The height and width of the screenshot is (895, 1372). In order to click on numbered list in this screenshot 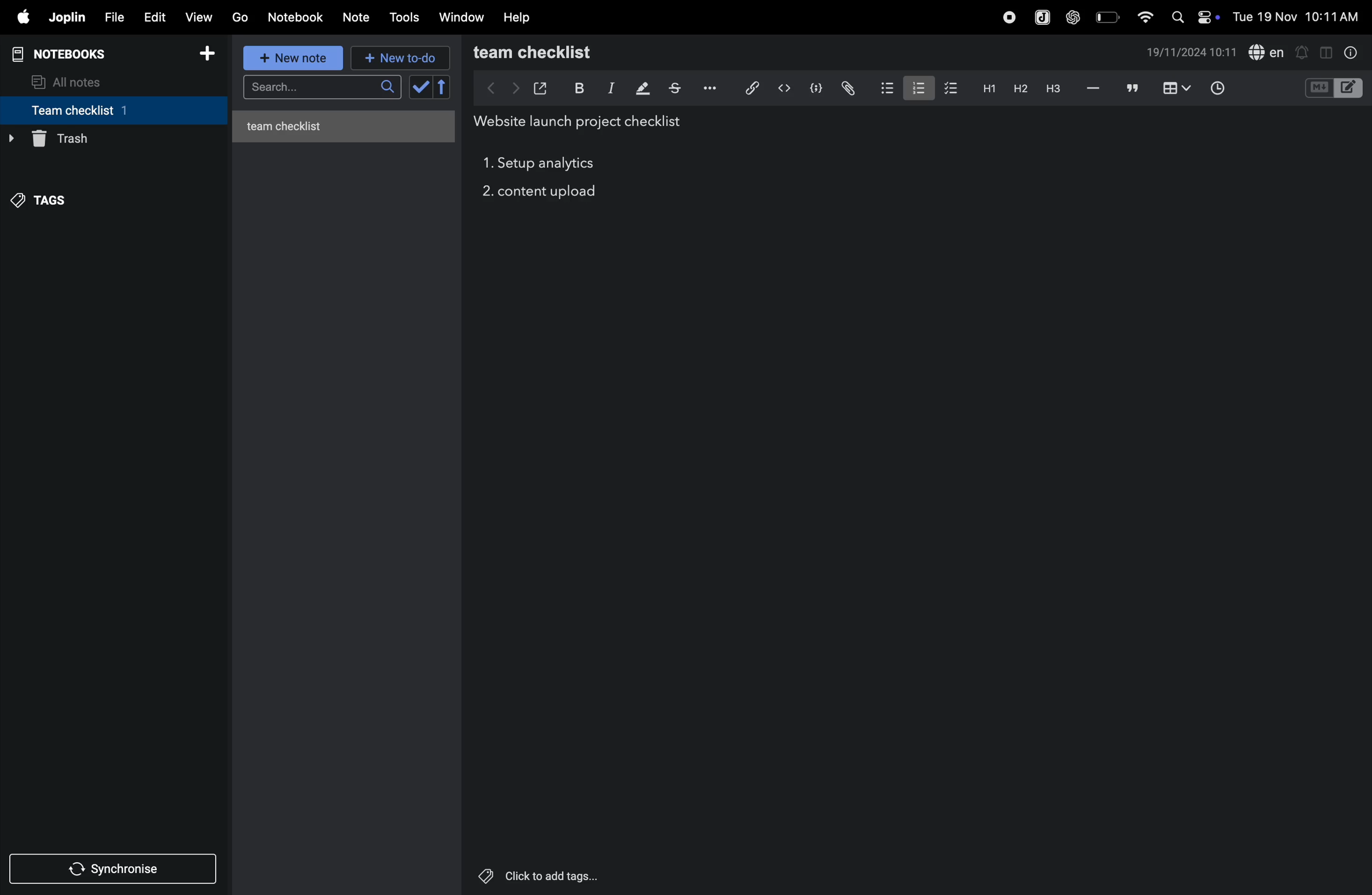, I will do `click(916, 87)`.